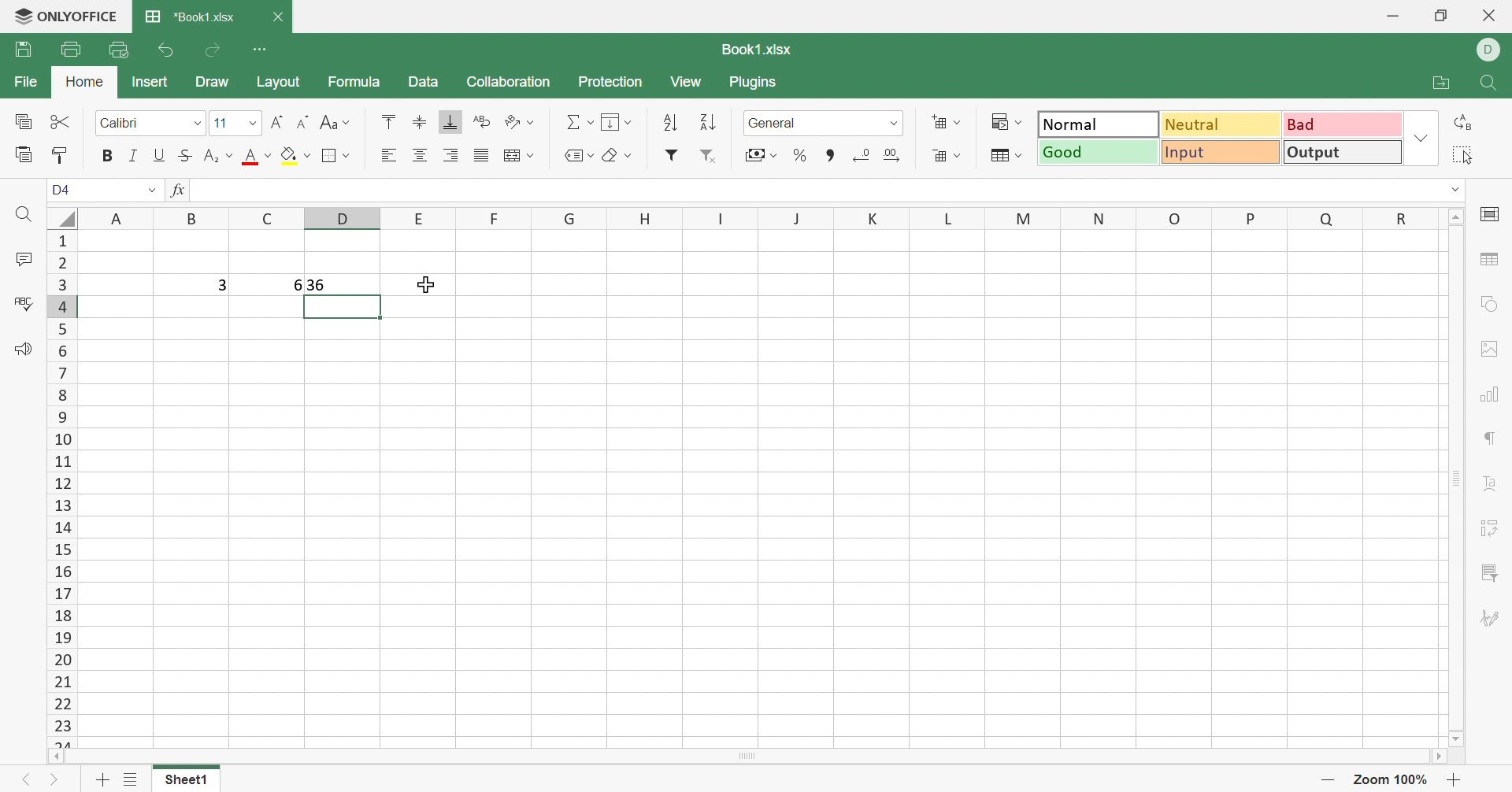  I want to click on Neutral, so click(1222, 126).